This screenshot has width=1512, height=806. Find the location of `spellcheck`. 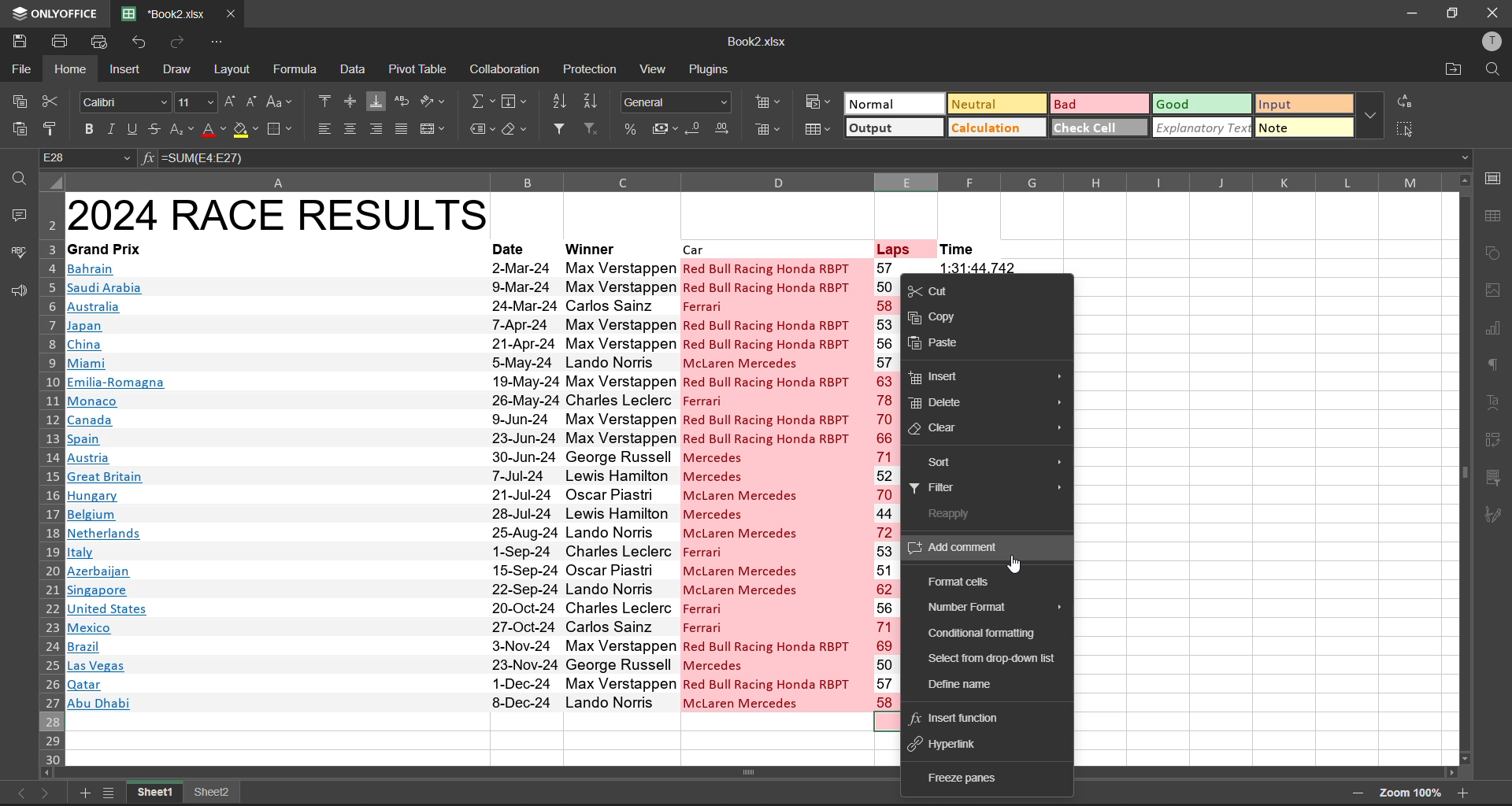

spellcheck is located at coordinates (16, 254).